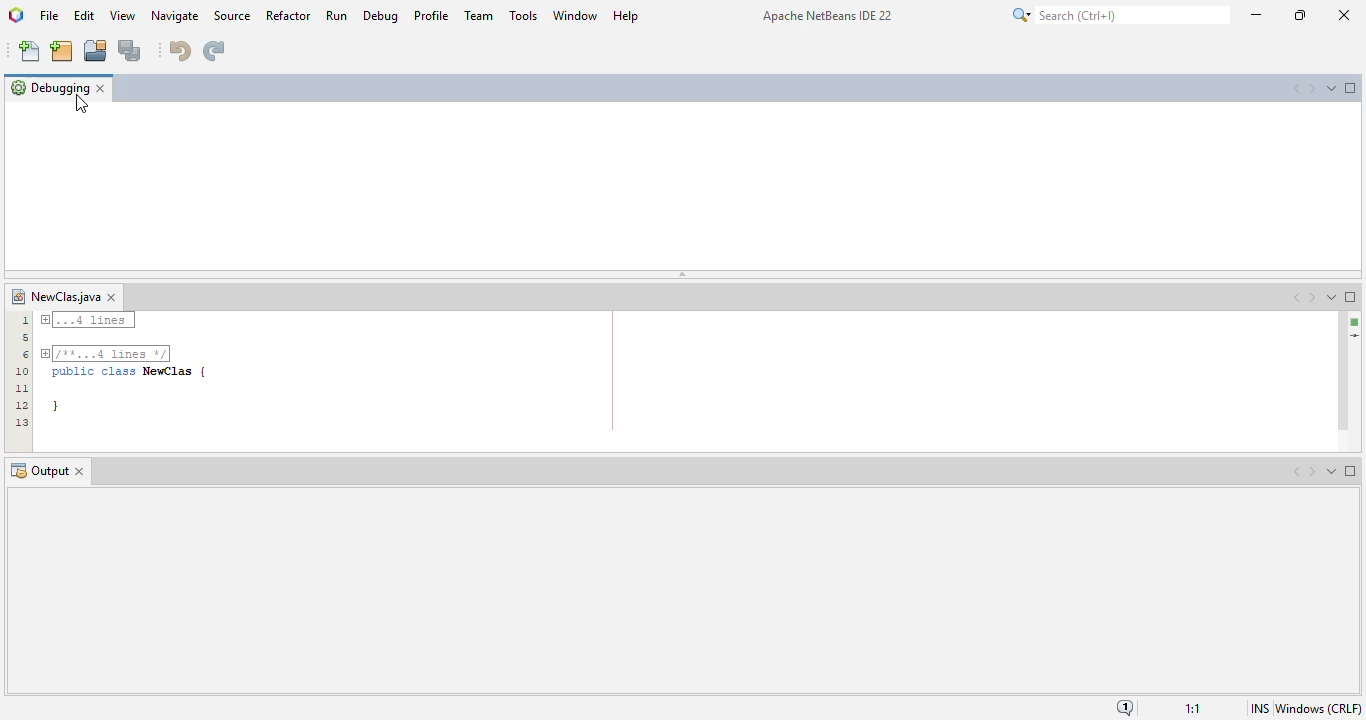 Image resolution: width=1366 pixels, height=720 pixels. What do you see at coordinates (49, 87) in the screenshot?
I see `debugging` at bounding box center [49, 87].